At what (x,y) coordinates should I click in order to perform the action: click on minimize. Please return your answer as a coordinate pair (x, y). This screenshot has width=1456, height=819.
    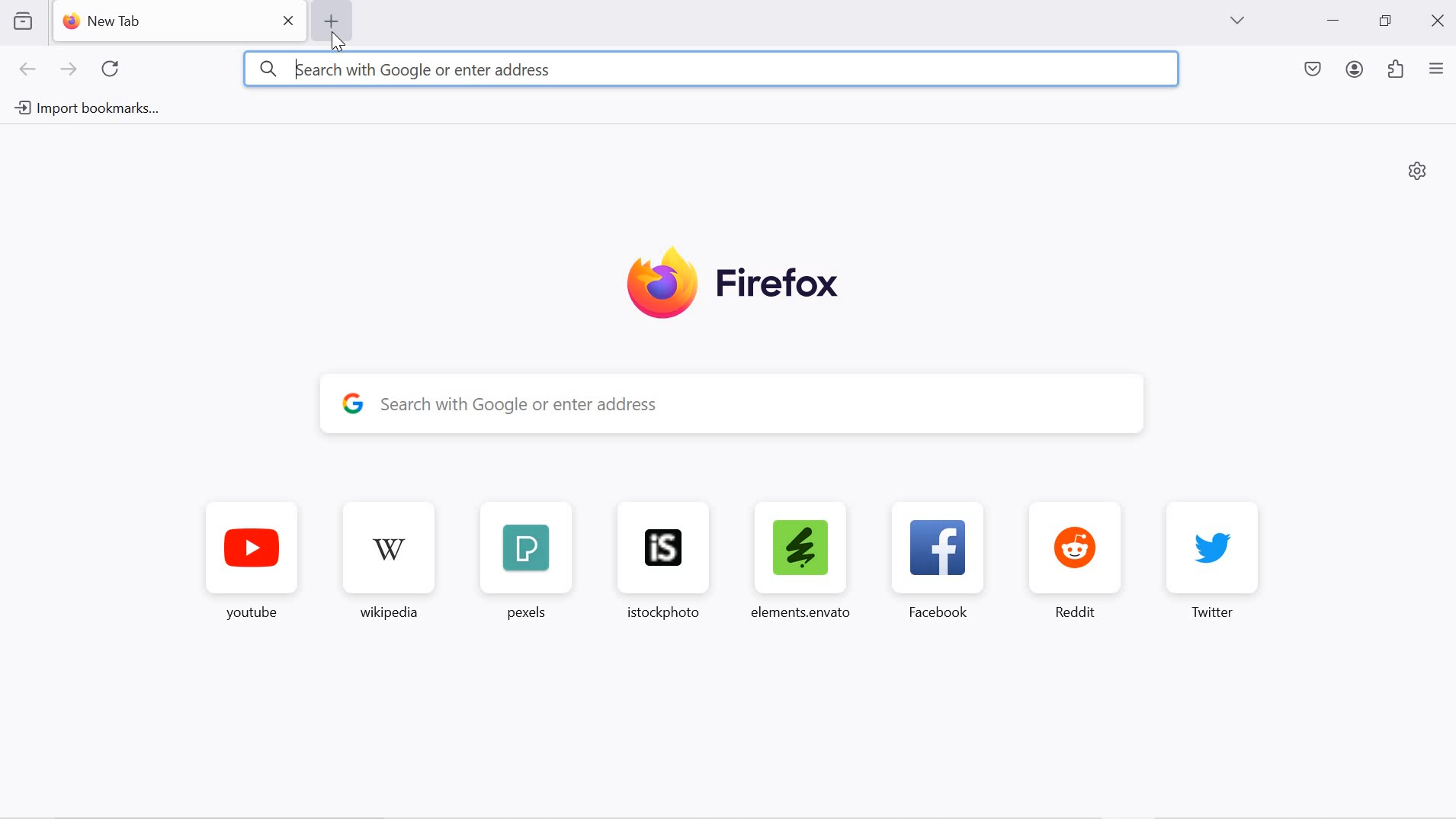
    Looking at the image, I should click on (1333, 22).